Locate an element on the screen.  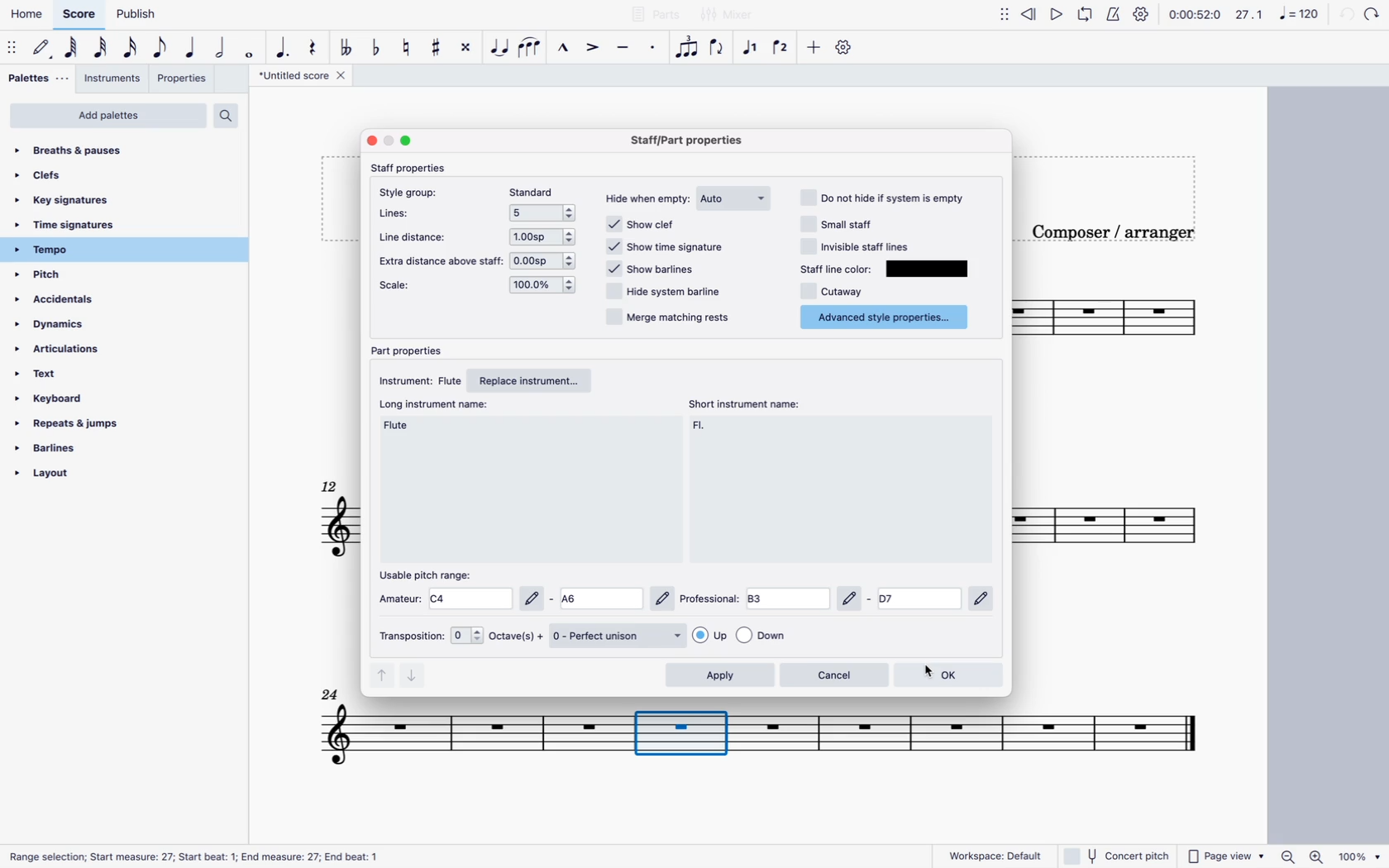
short instrument name is located at coordinates (699, 429).